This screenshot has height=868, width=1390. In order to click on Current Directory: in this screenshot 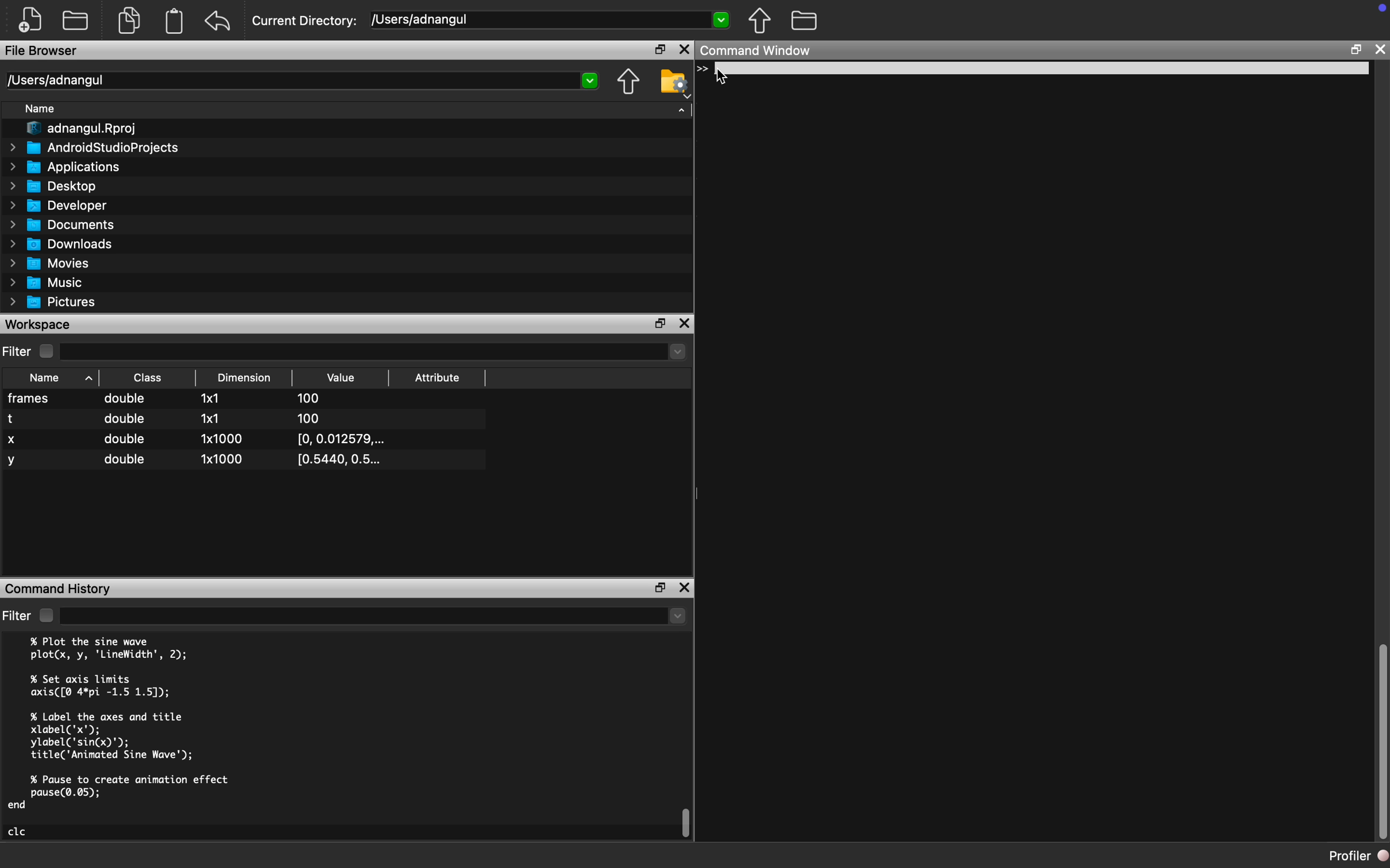, I will do `click(306, 21)`.